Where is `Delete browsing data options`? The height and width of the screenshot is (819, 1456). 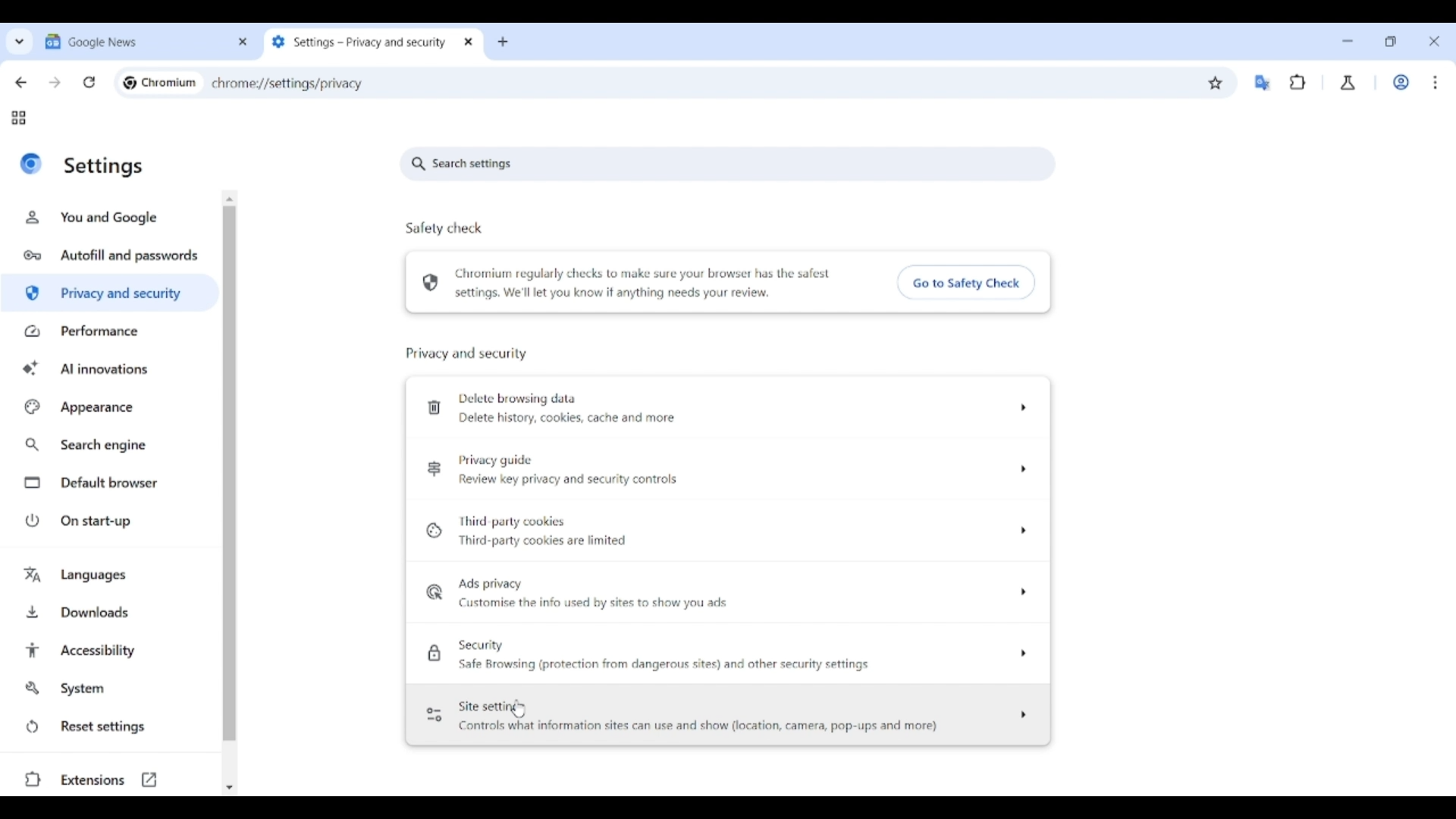
Delete browsing data options is located at coordinates (726, 408).